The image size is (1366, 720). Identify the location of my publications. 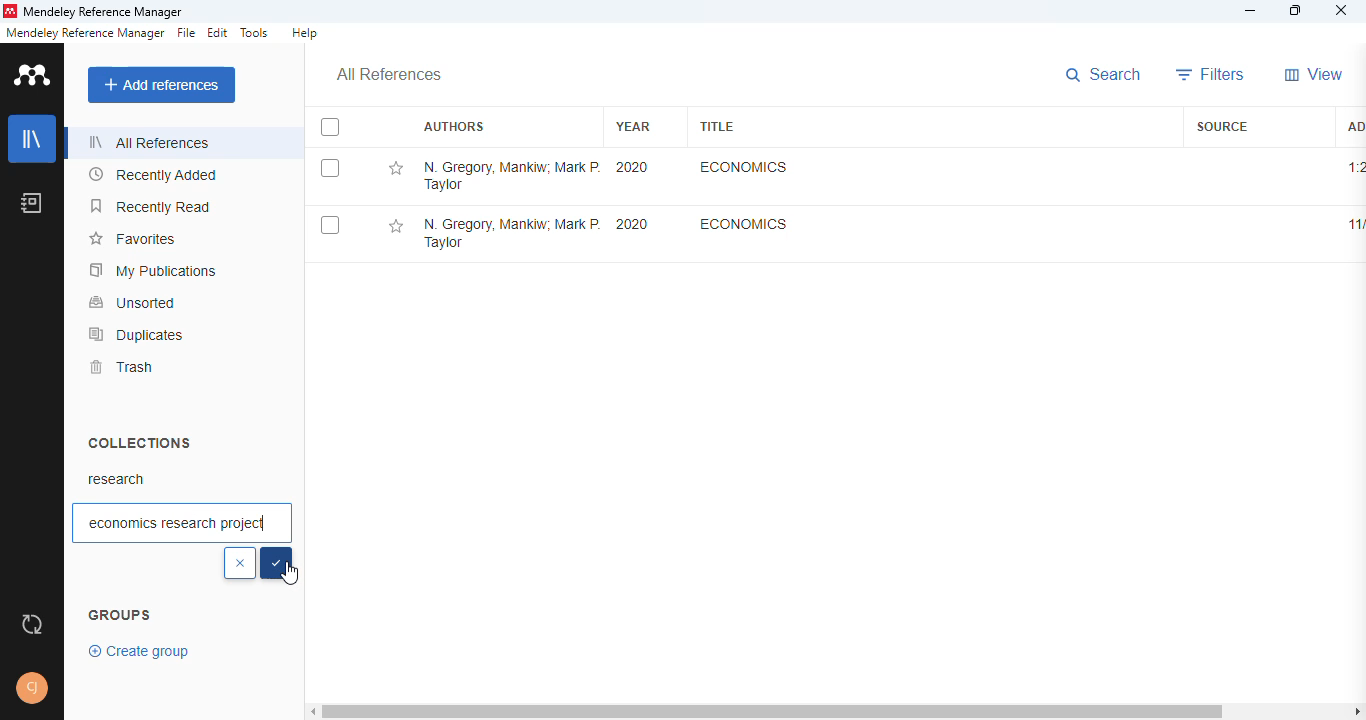
(154, 270).